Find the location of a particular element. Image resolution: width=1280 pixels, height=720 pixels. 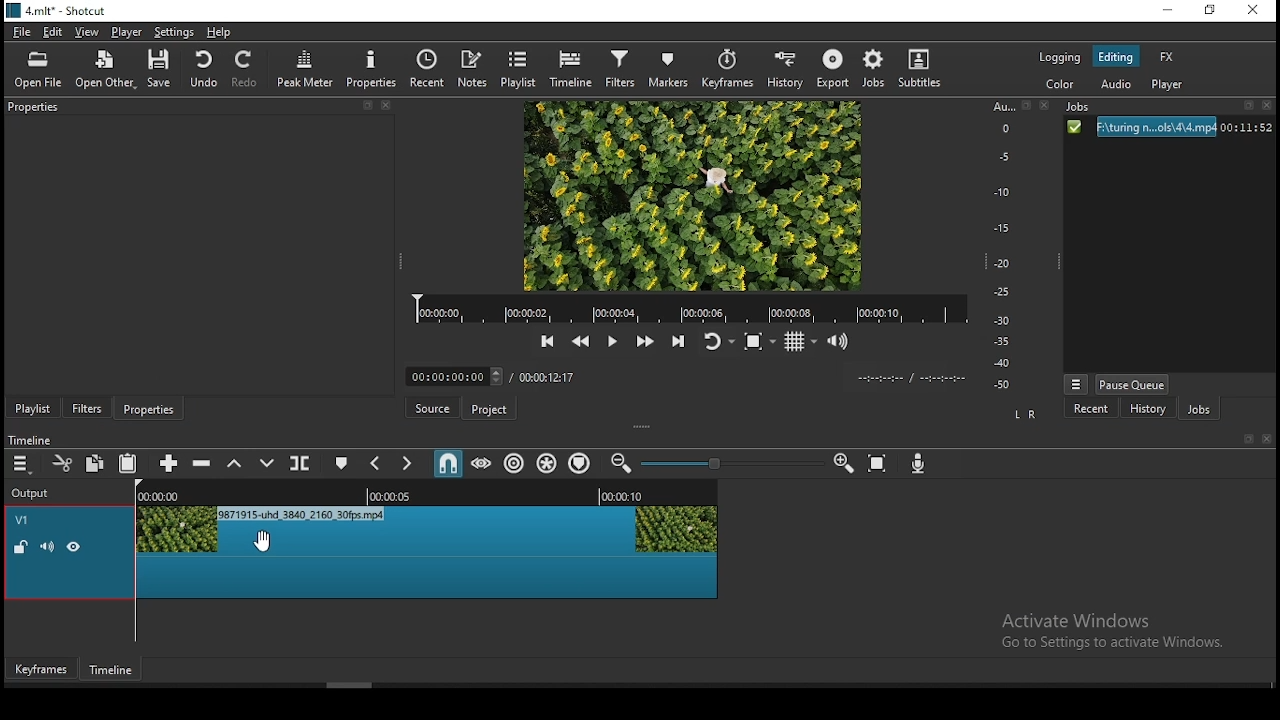

file is located at coordinates (23, 33).